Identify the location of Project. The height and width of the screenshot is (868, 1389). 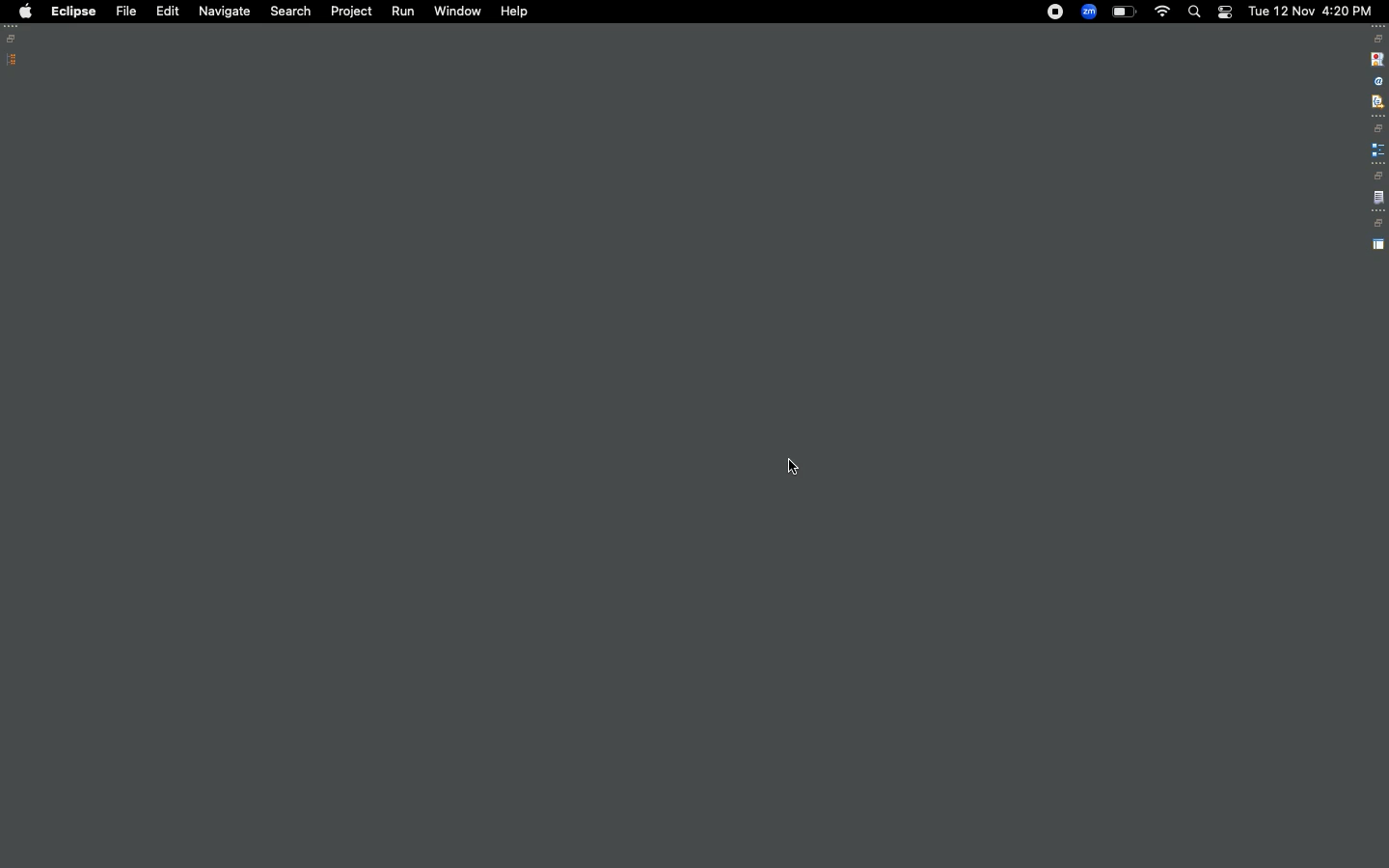
(351, 14).